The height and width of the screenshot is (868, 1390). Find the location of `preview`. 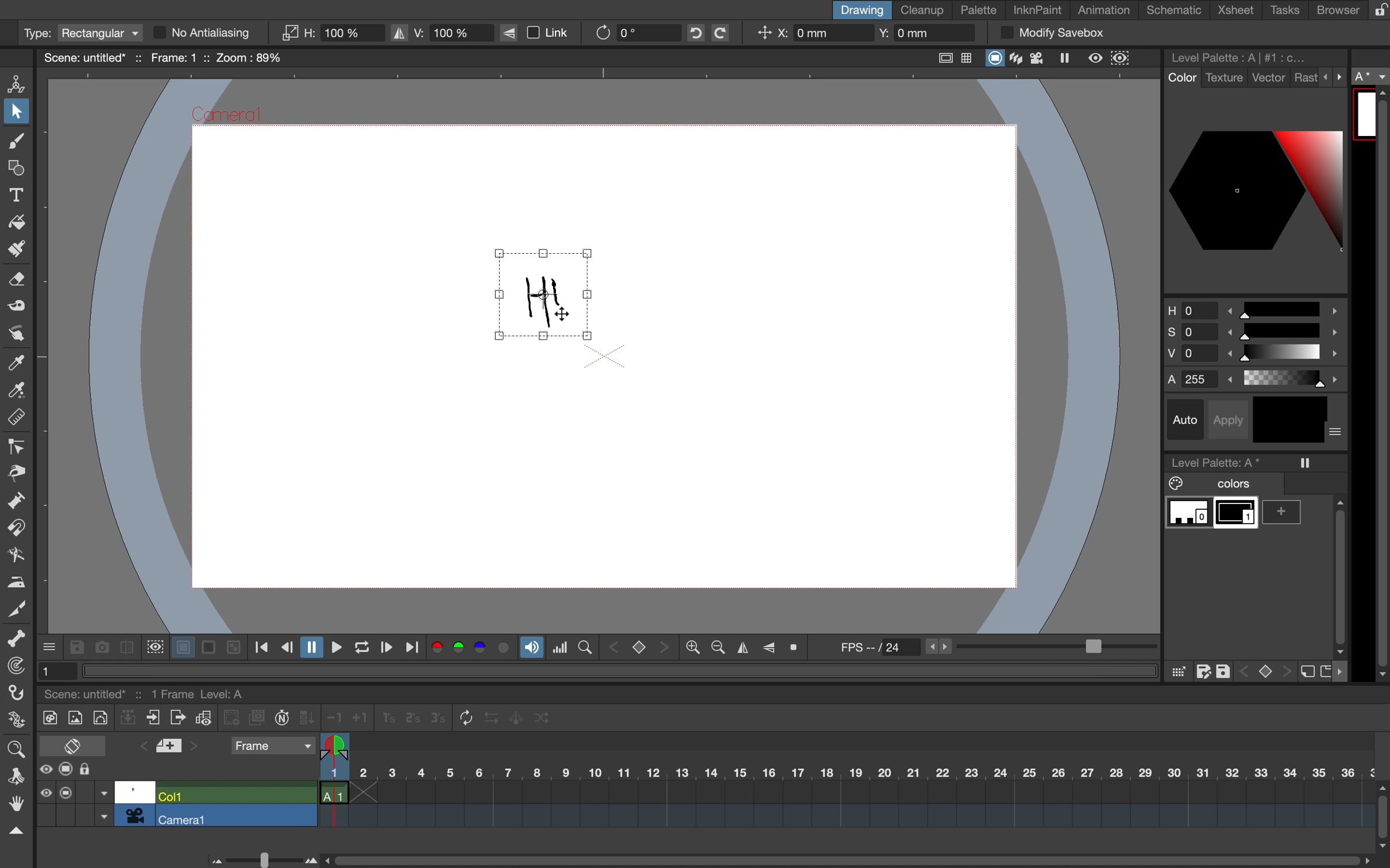

preview is located at coordinates (1096, 57).